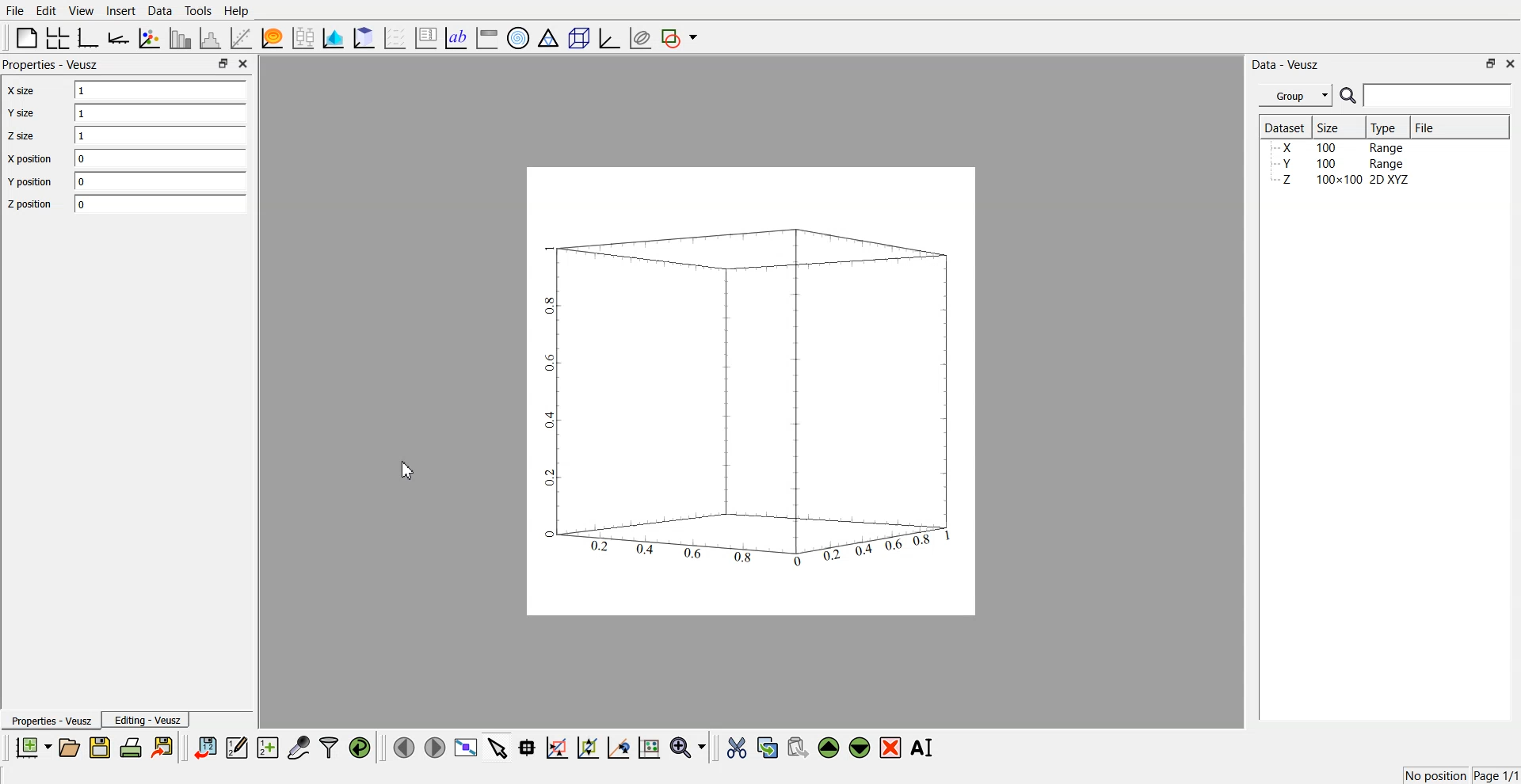 Image resolution: width=1521 pixels, height=784 pixels. Describe the element at coordinates (1285, 127) in the screenshot. I see `Dataset` at that location.